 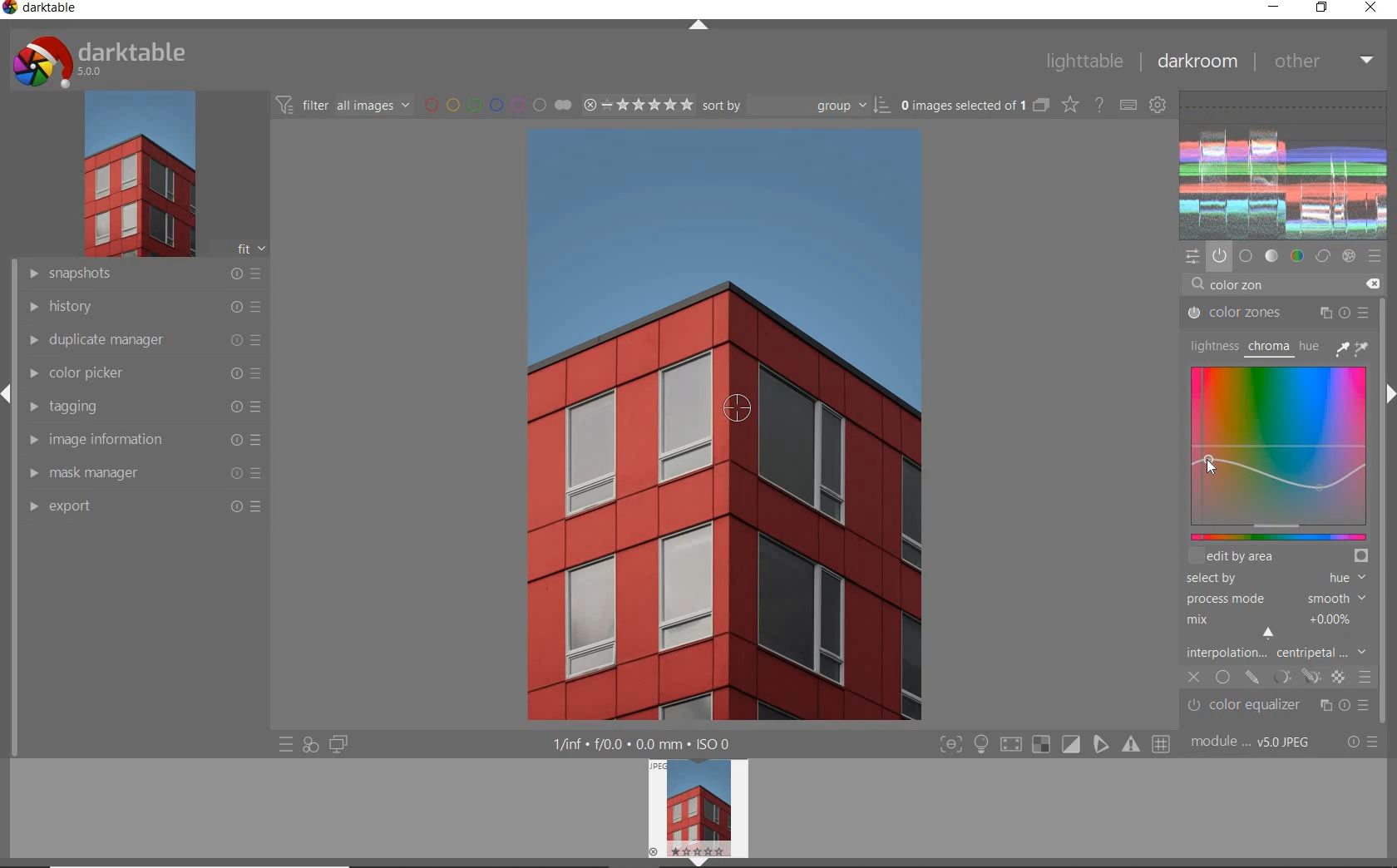 I want to click on COLOR PICKER TOOL POSITION, so click(x=736, y=408).